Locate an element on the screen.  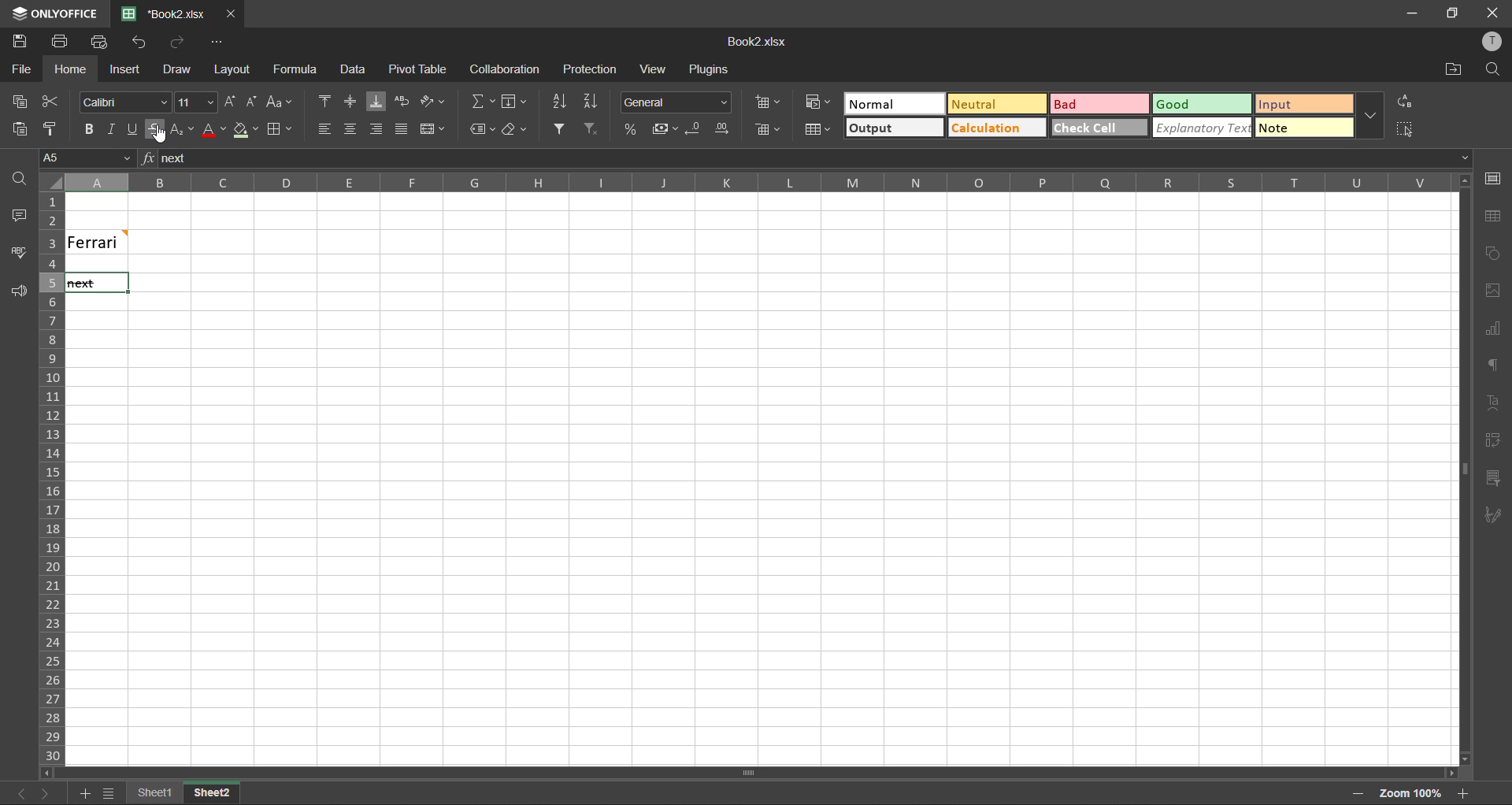
open location is located at coordinates (1450, 72).